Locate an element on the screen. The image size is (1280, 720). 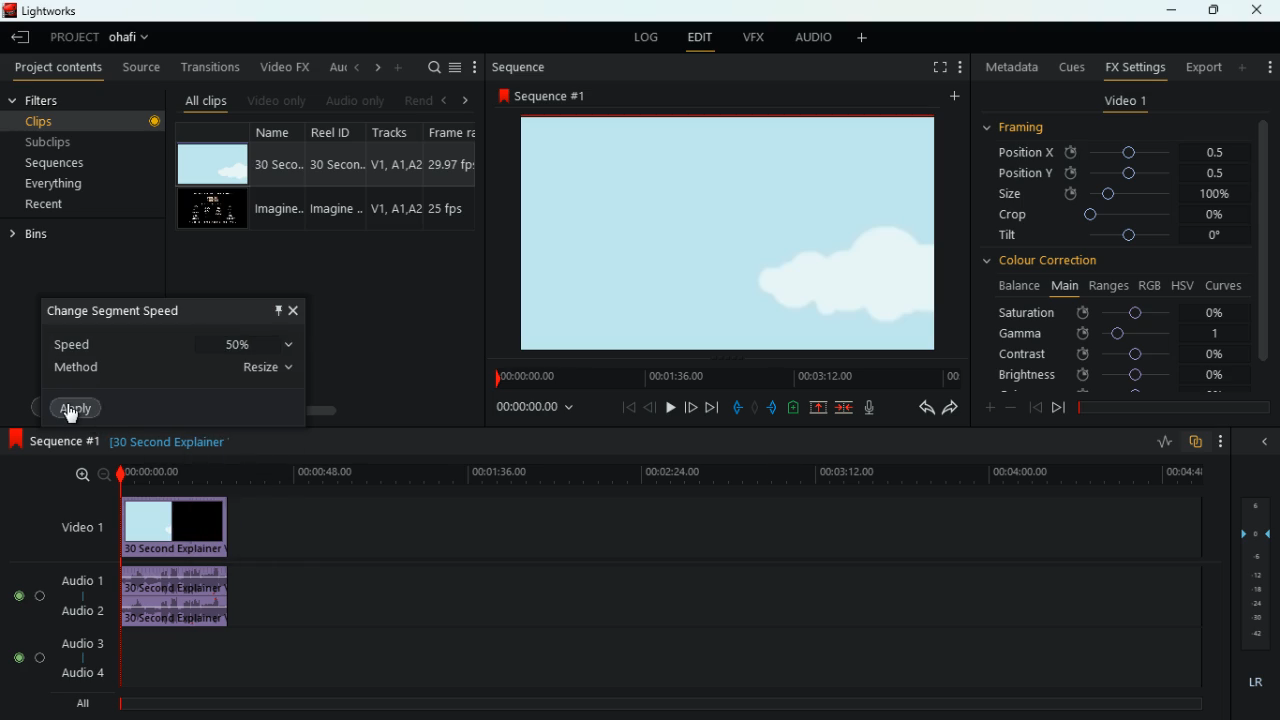
time is located at coordinates (538, 409).